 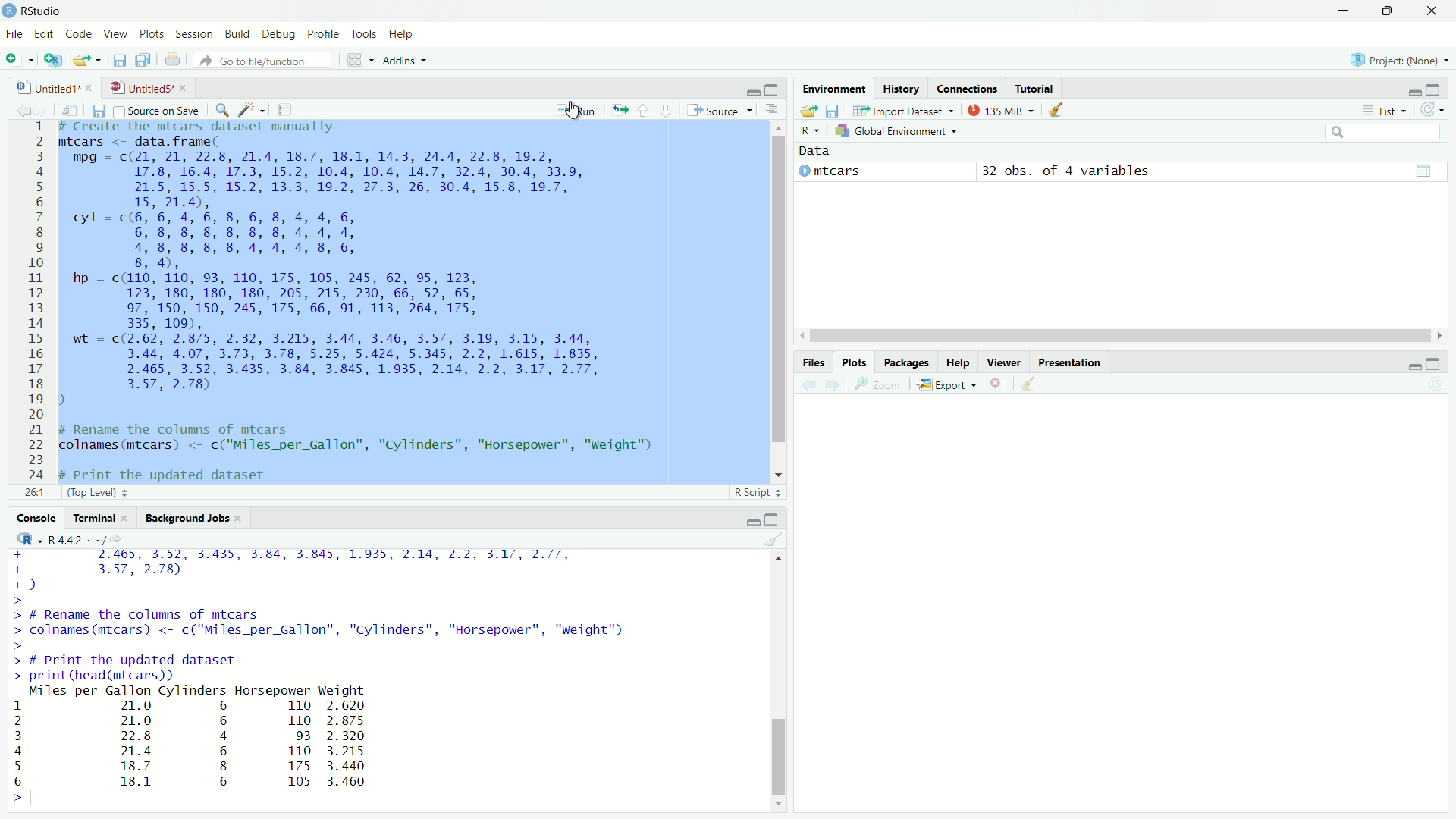 I want to click on RStudio, so click(x=40, y=10).